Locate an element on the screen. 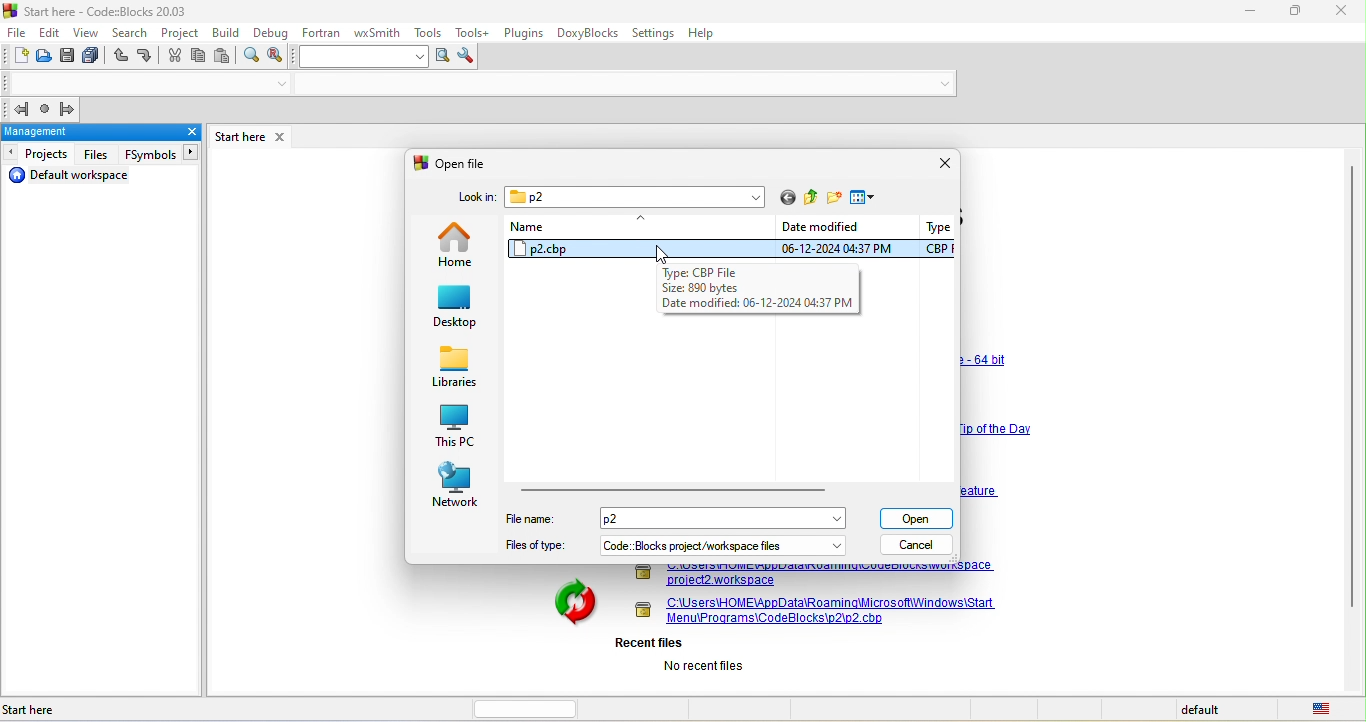 This screenshot has width=1366, height=722. debug is located at coordinates (272, 34).